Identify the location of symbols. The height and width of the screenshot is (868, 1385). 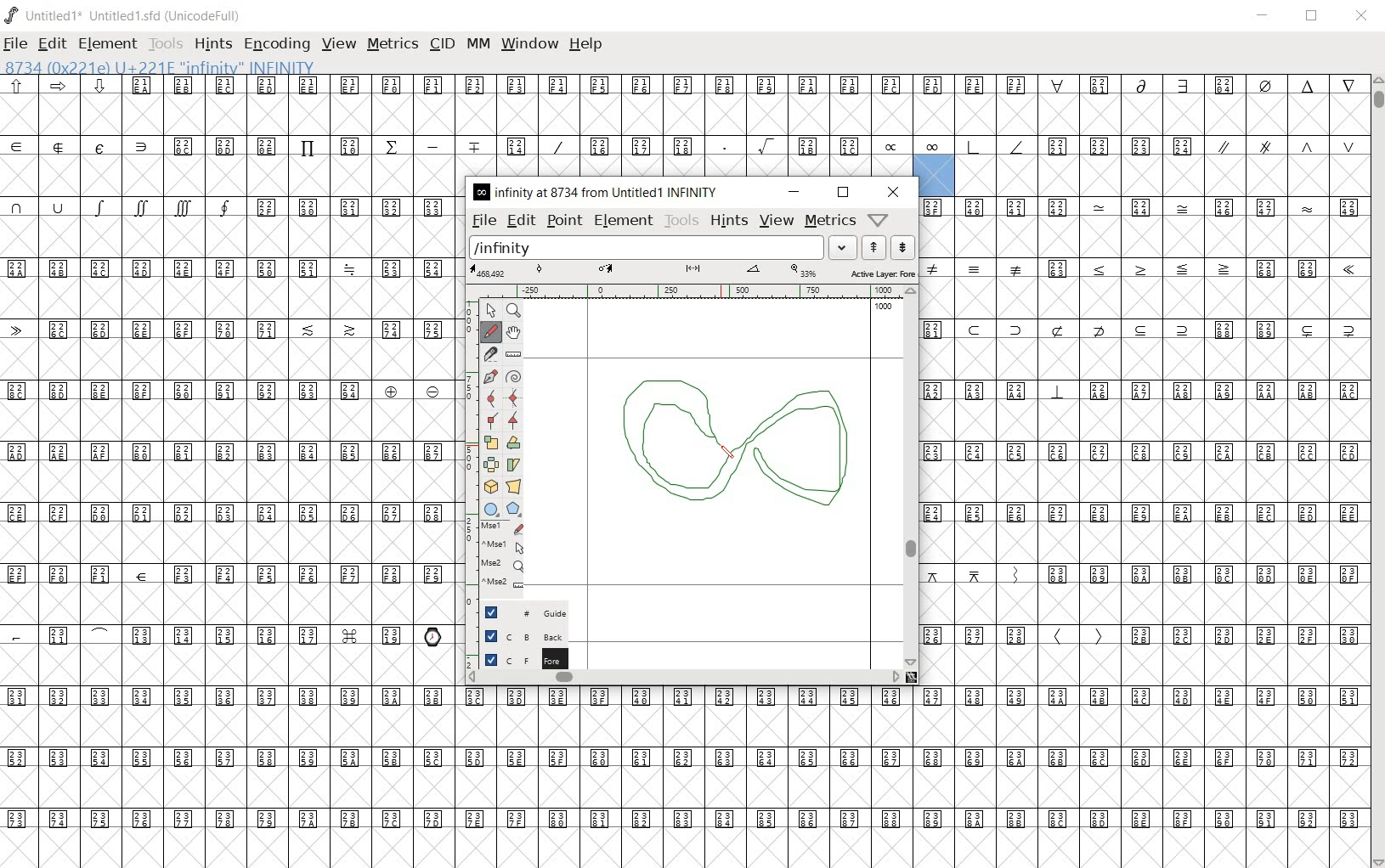
(1286, 144).